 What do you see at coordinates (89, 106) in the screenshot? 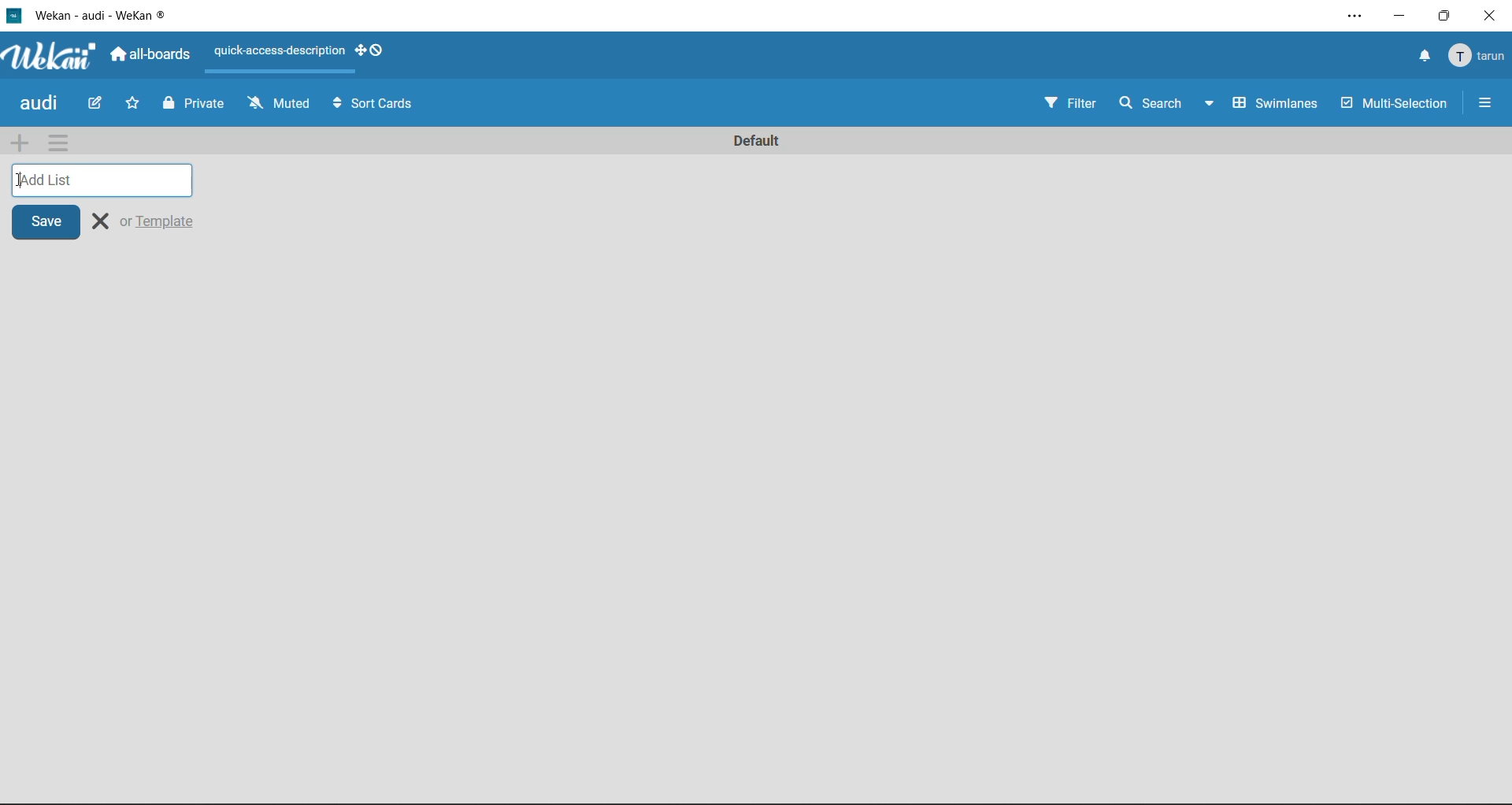
I see `edit` at bounding box center [89, 106].